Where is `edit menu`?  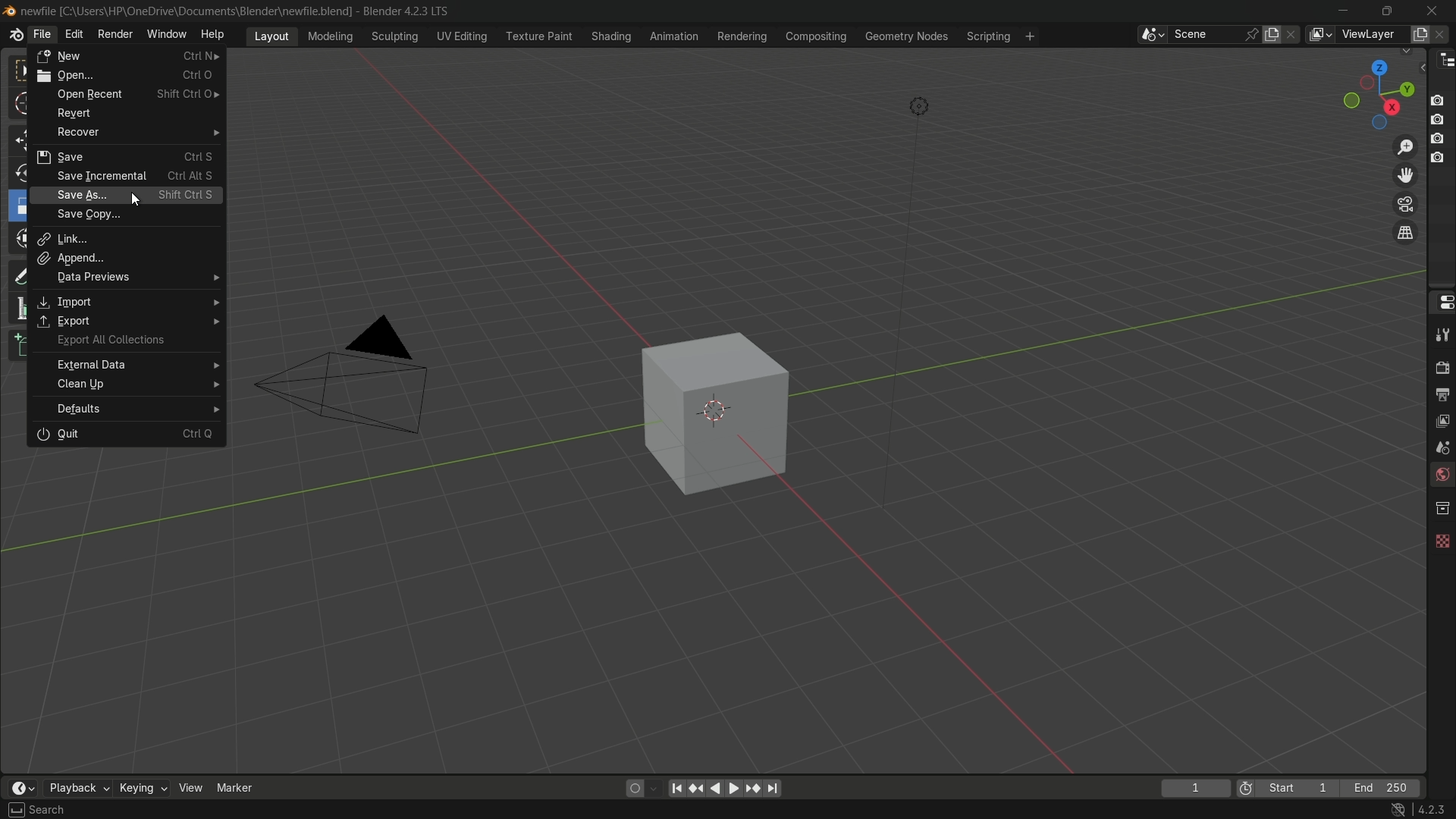 edit menu is located at coordinates (74, 34).